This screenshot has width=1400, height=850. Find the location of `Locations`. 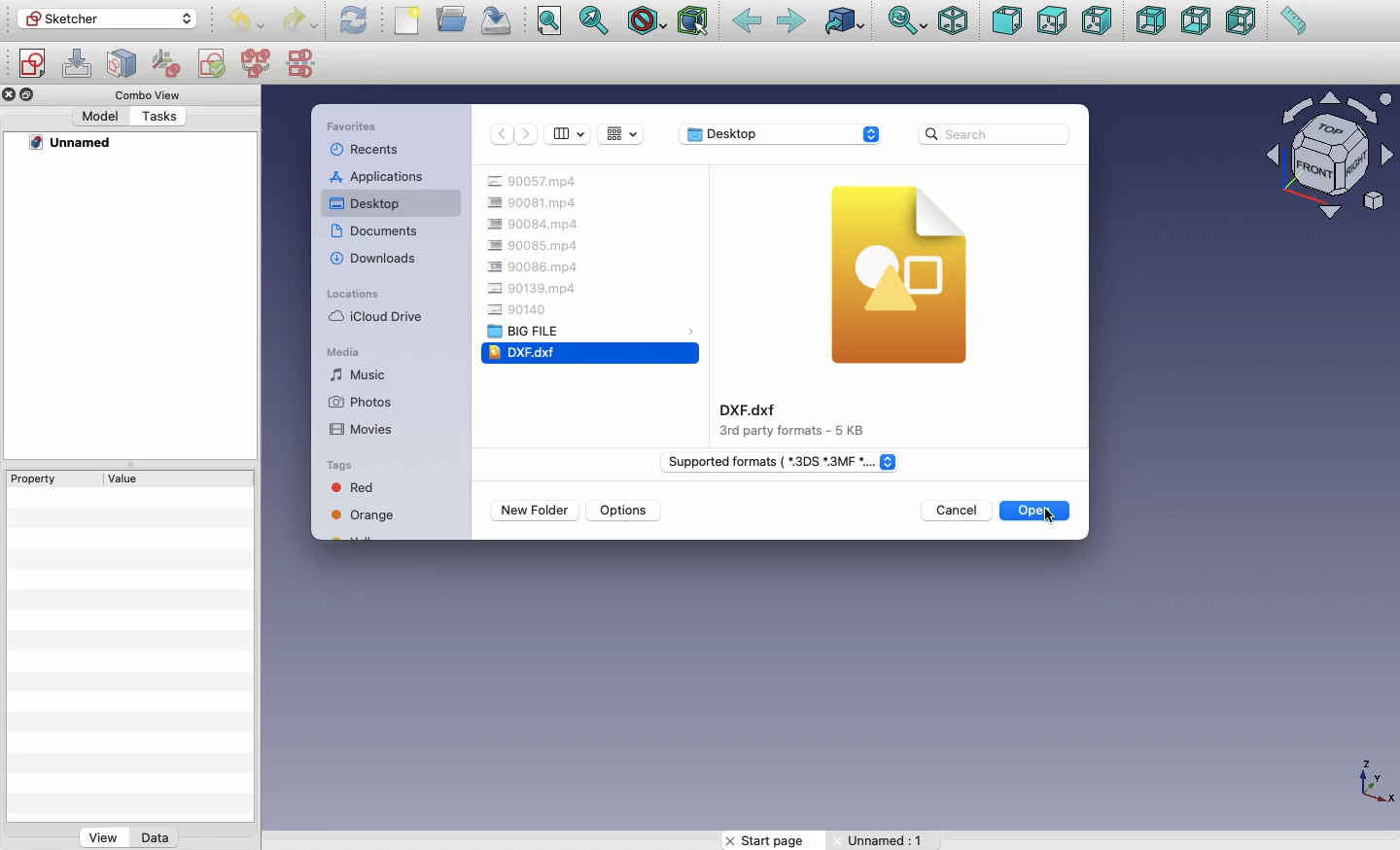

Locations is located at coordinates (354, 292).